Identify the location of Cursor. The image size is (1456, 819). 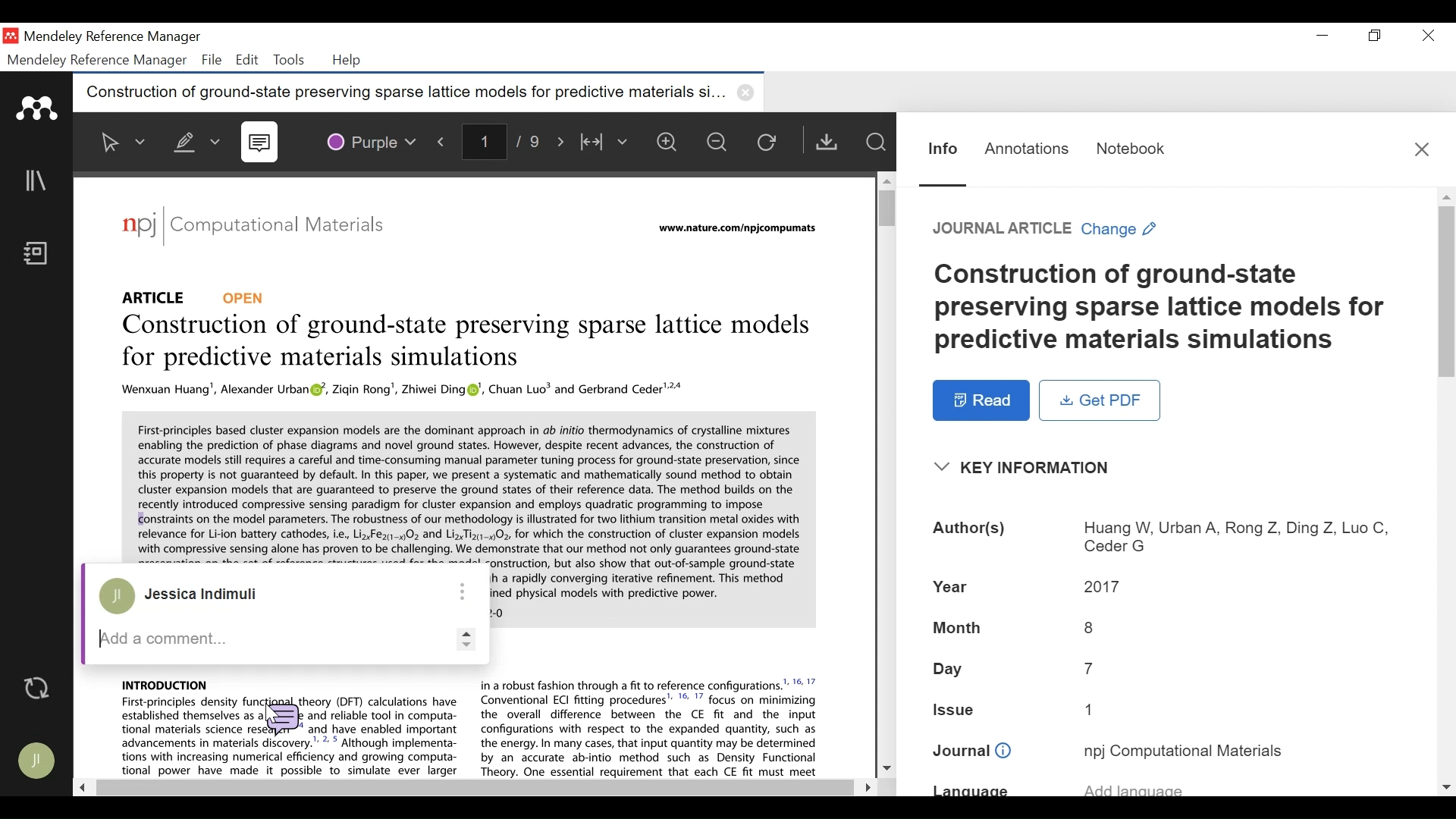
(266, 704).